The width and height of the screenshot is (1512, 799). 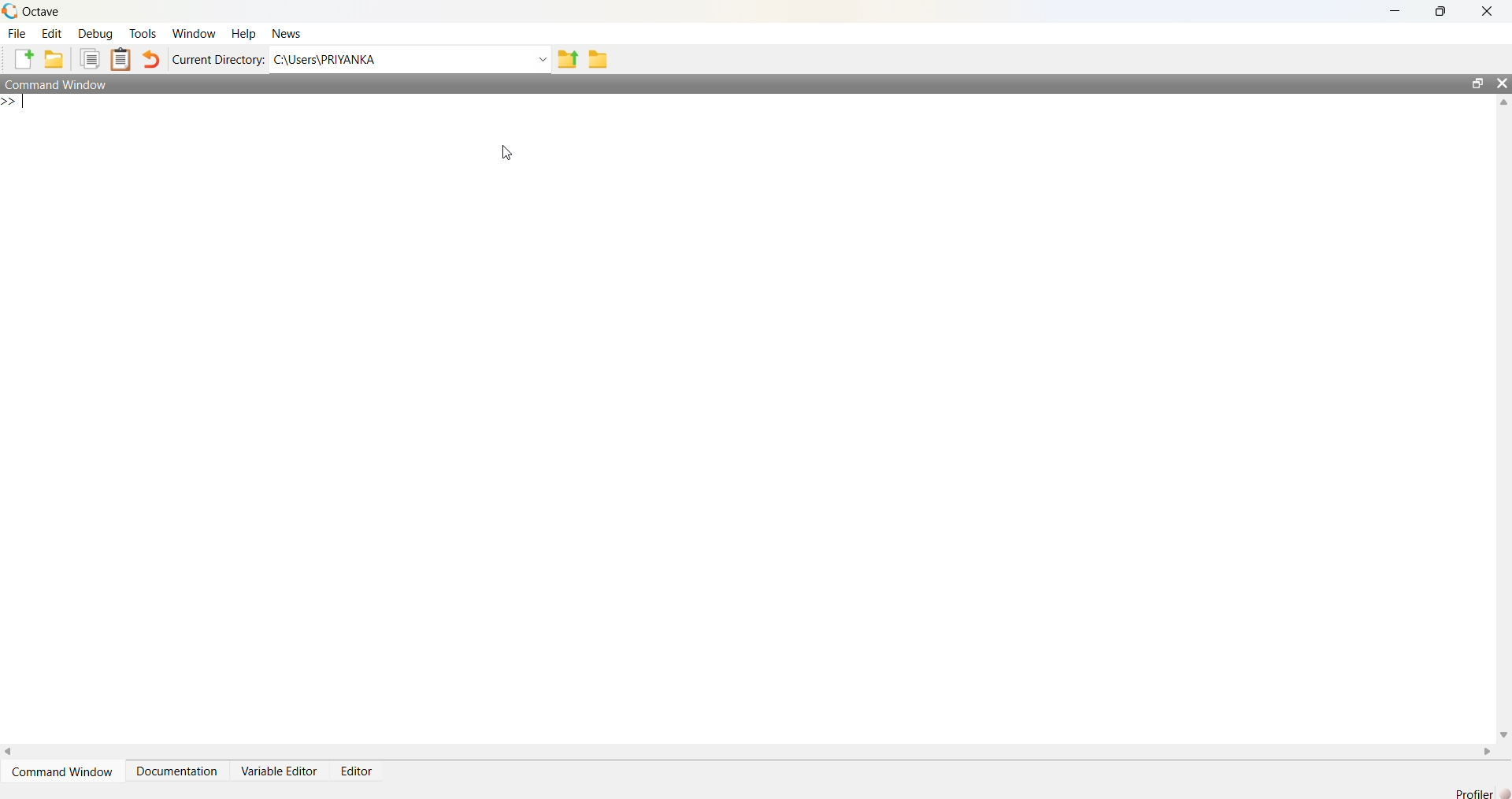 What do you see at coordinates (195, 34) in the screenshot?
I see `Window` at bounding box center [195, 34].